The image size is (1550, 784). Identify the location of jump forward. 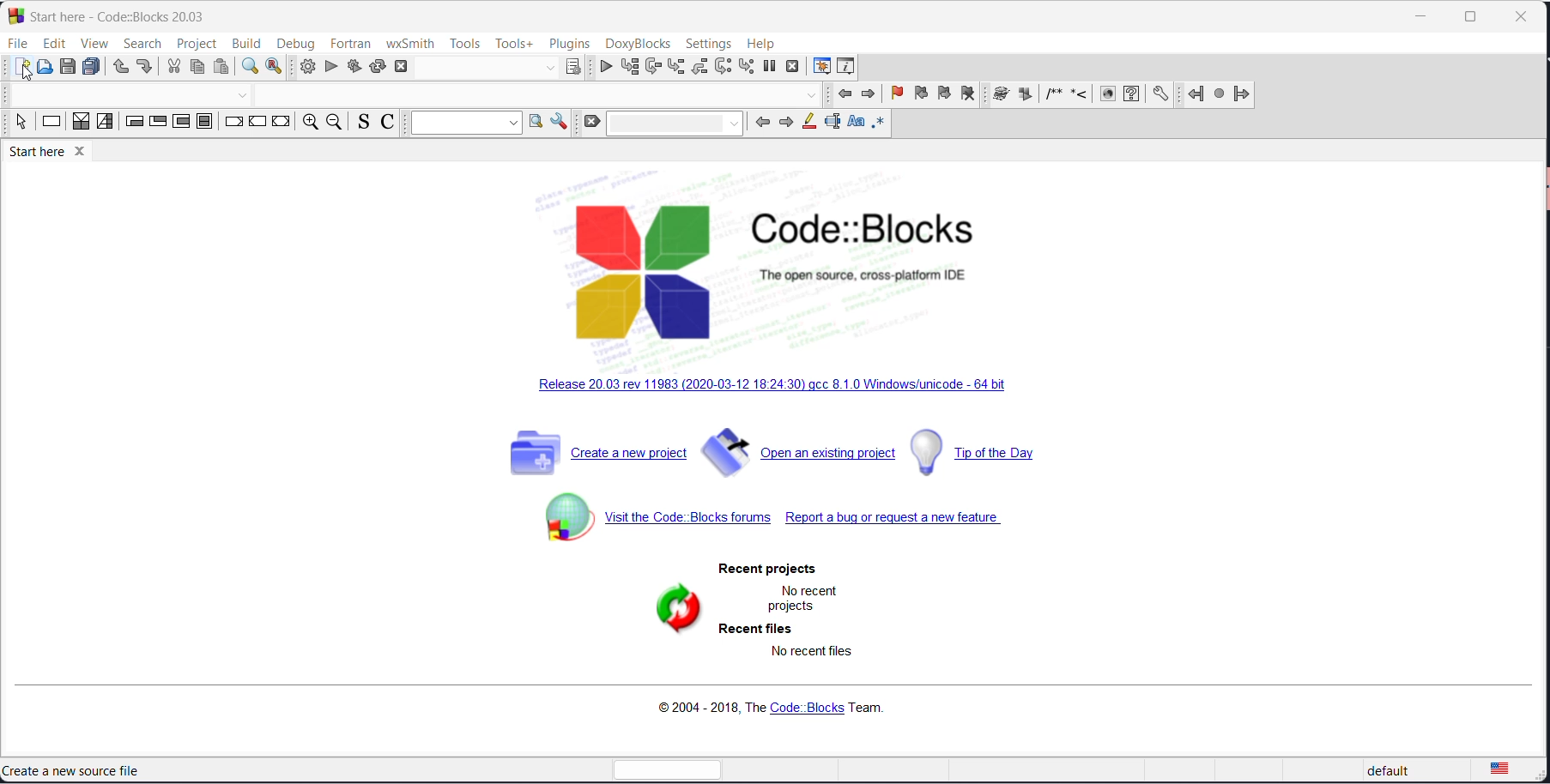
(1243, 98).